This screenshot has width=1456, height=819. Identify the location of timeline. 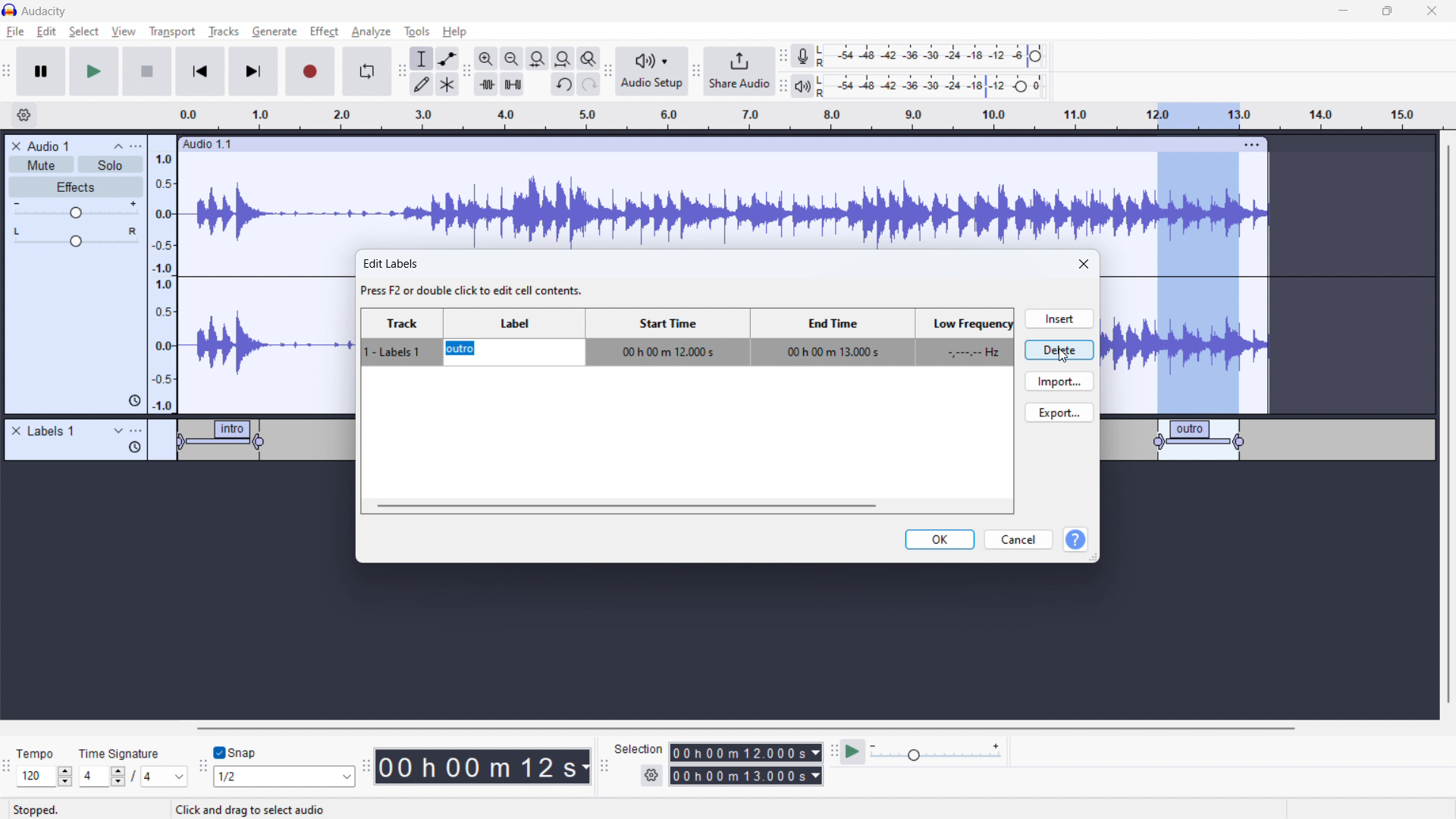
(839, 116).